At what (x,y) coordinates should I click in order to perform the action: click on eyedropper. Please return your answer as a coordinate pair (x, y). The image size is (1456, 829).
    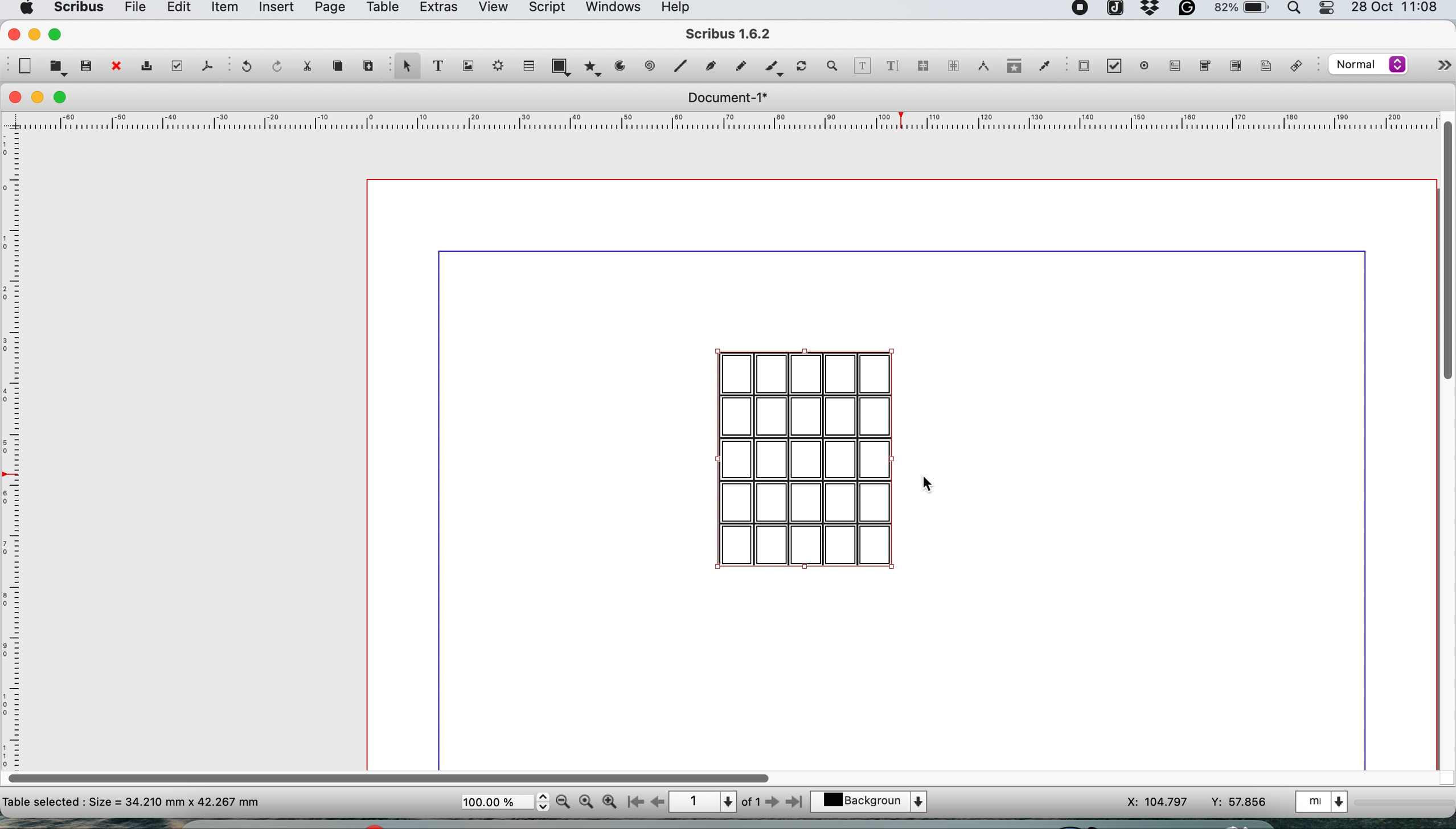
    Looking at the image, I should click on (1044, 68).